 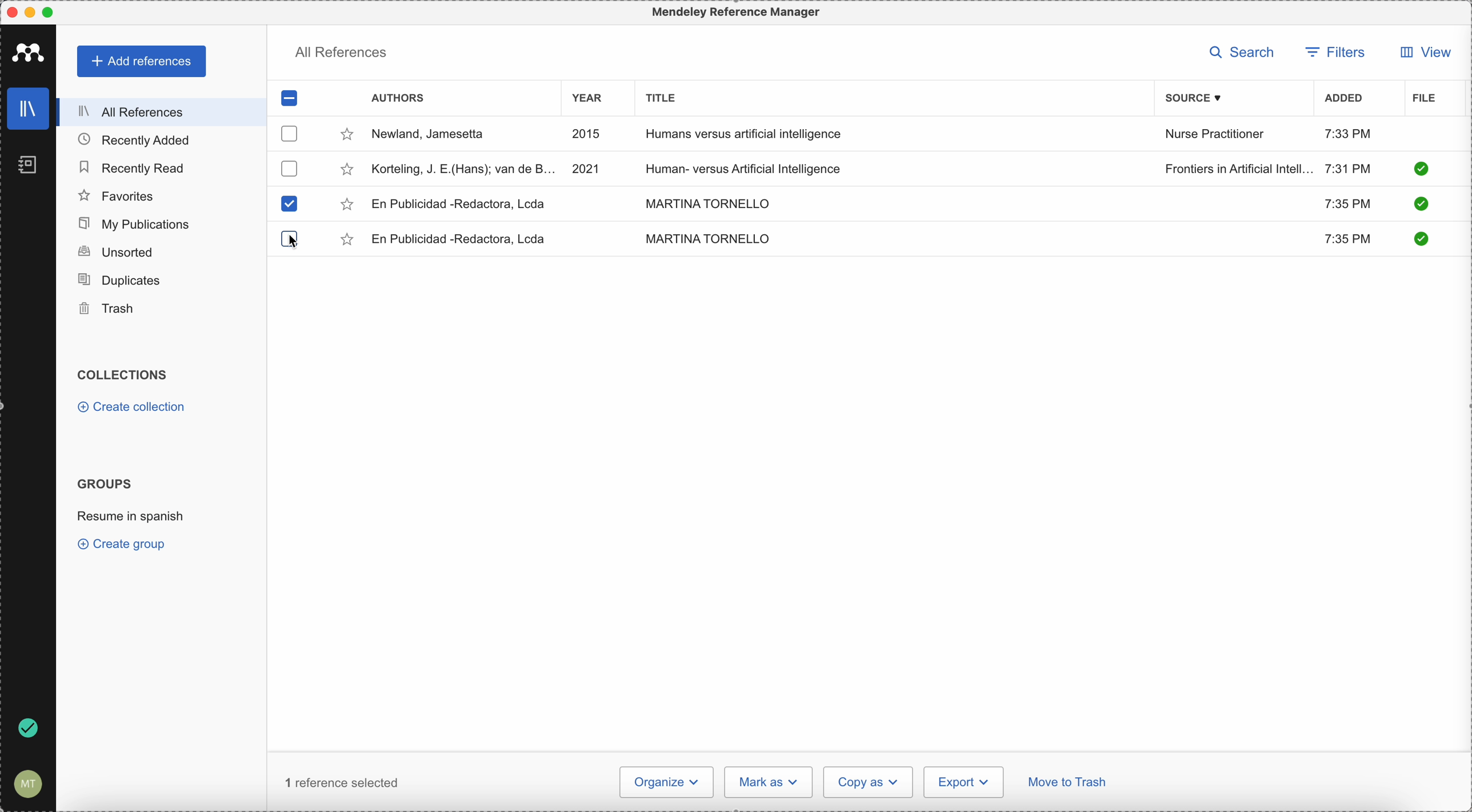 What do you see at coordinates (131, 166) in the screenshot?
I see `recently read` at bounding box center [131, 166].